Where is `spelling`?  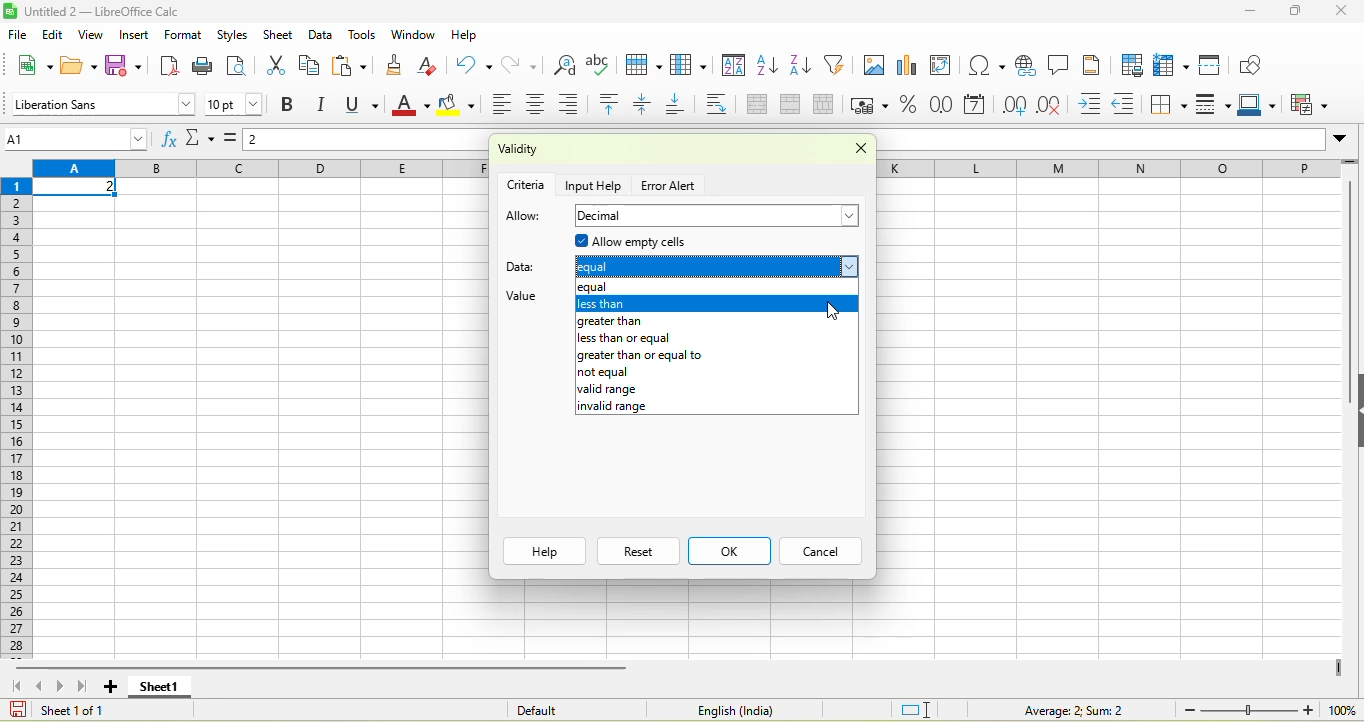 spelling is located at coordinates (601, 65).